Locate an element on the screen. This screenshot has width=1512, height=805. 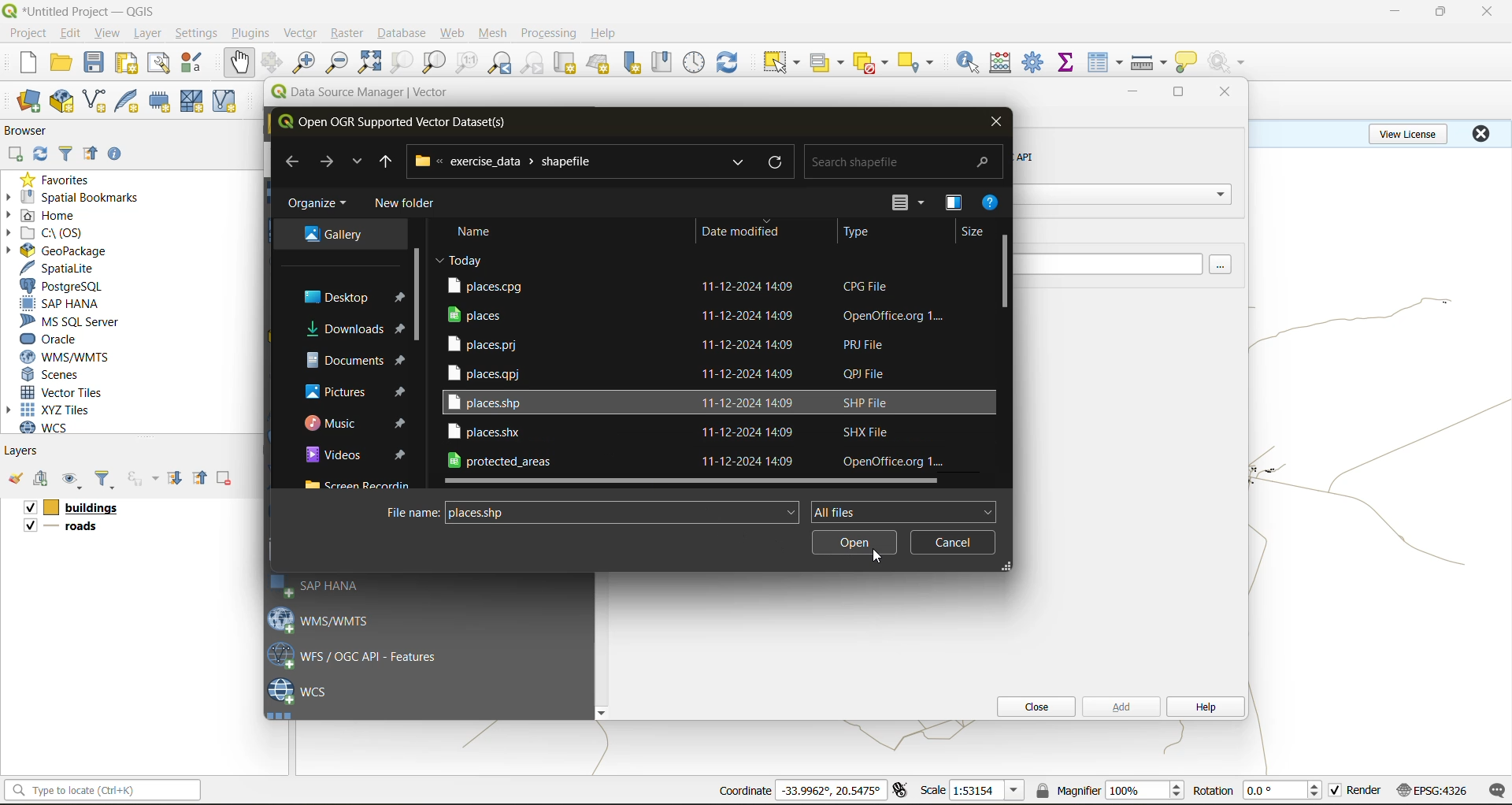
identify features is located at coordinates (973, 62).